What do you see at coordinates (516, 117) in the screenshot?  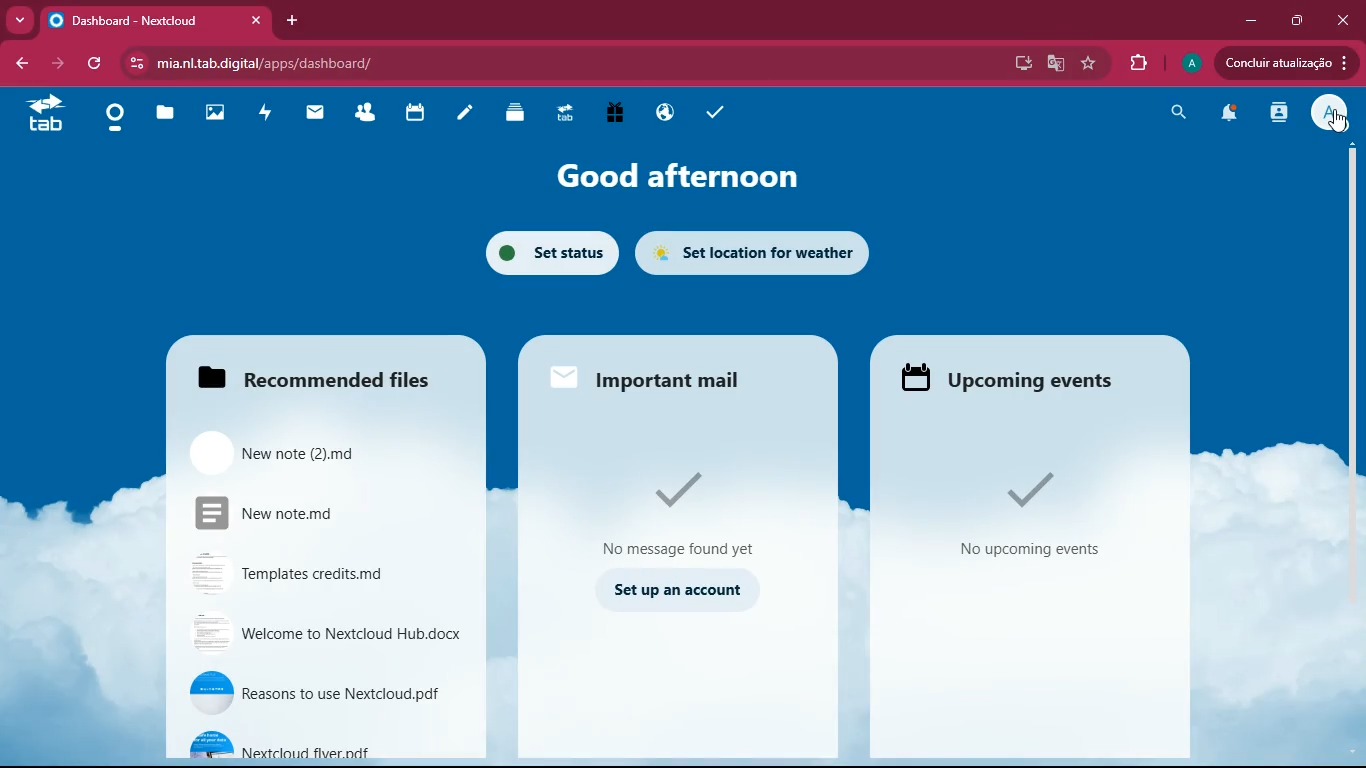 I see `layers` at bounding box center [516, 117].